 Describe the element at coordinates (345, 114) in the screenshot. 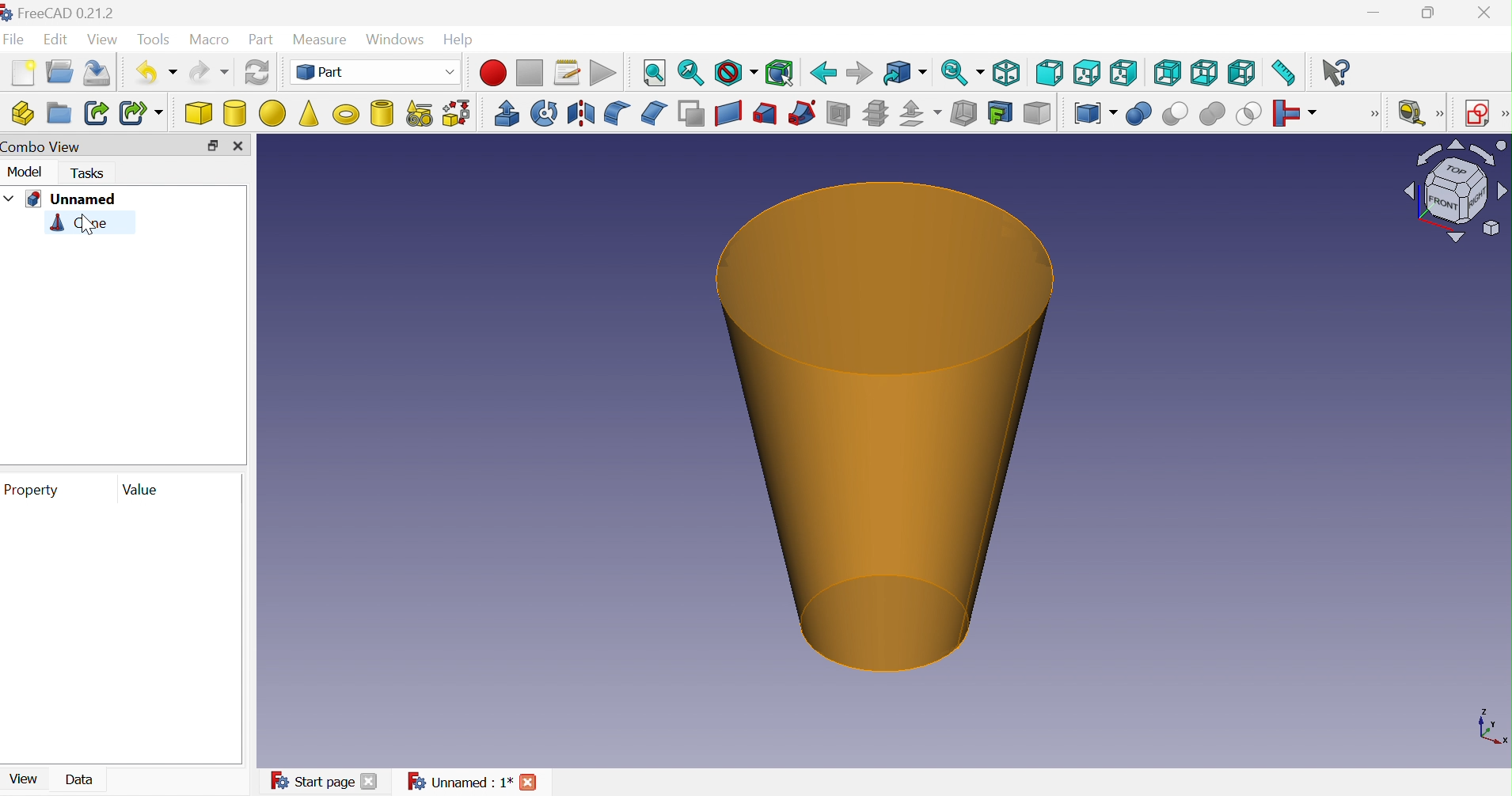

I see `Torus` at that location.